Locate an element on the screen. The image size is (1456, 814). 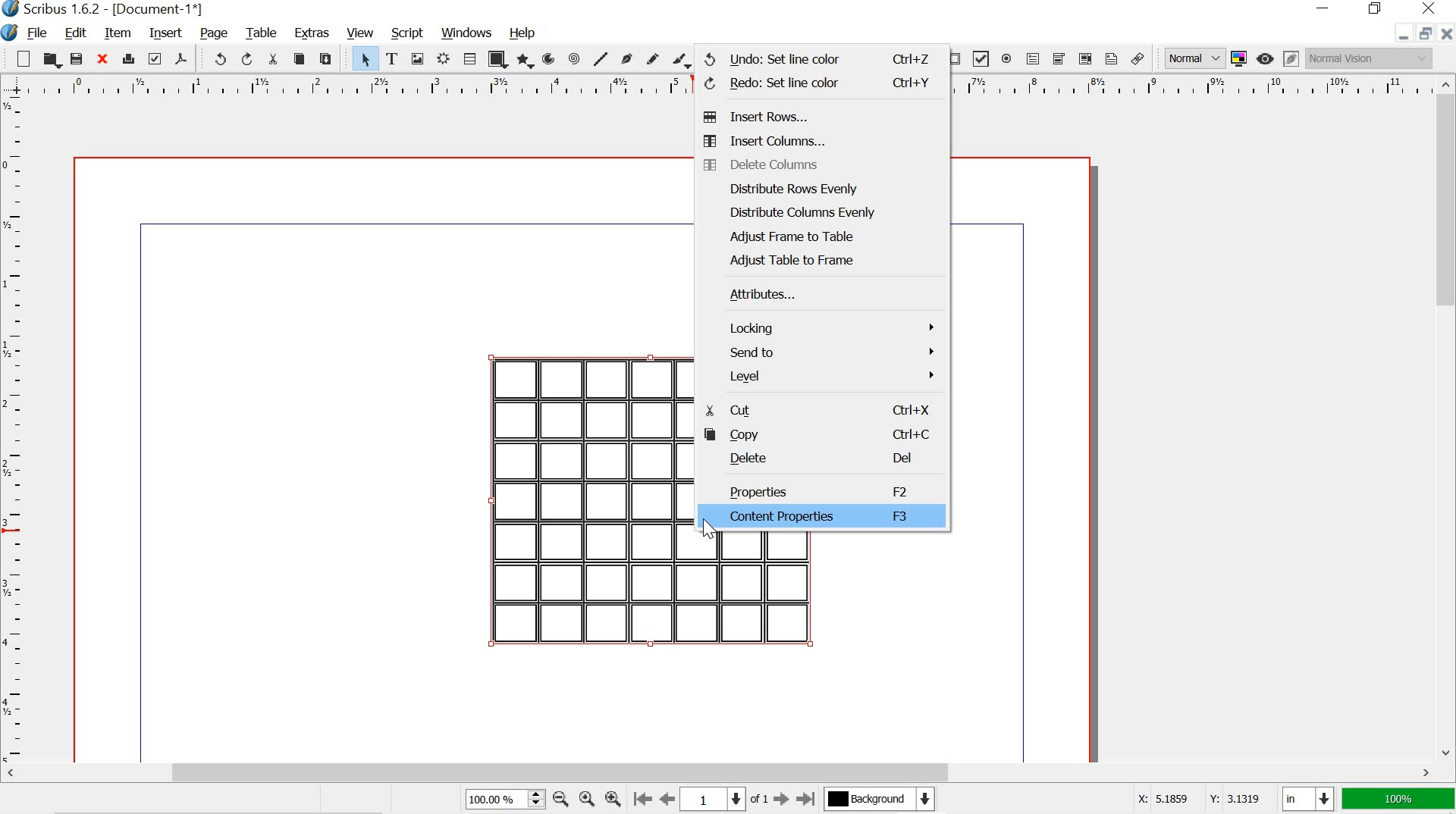
close is located at coordinates (1432, 9).